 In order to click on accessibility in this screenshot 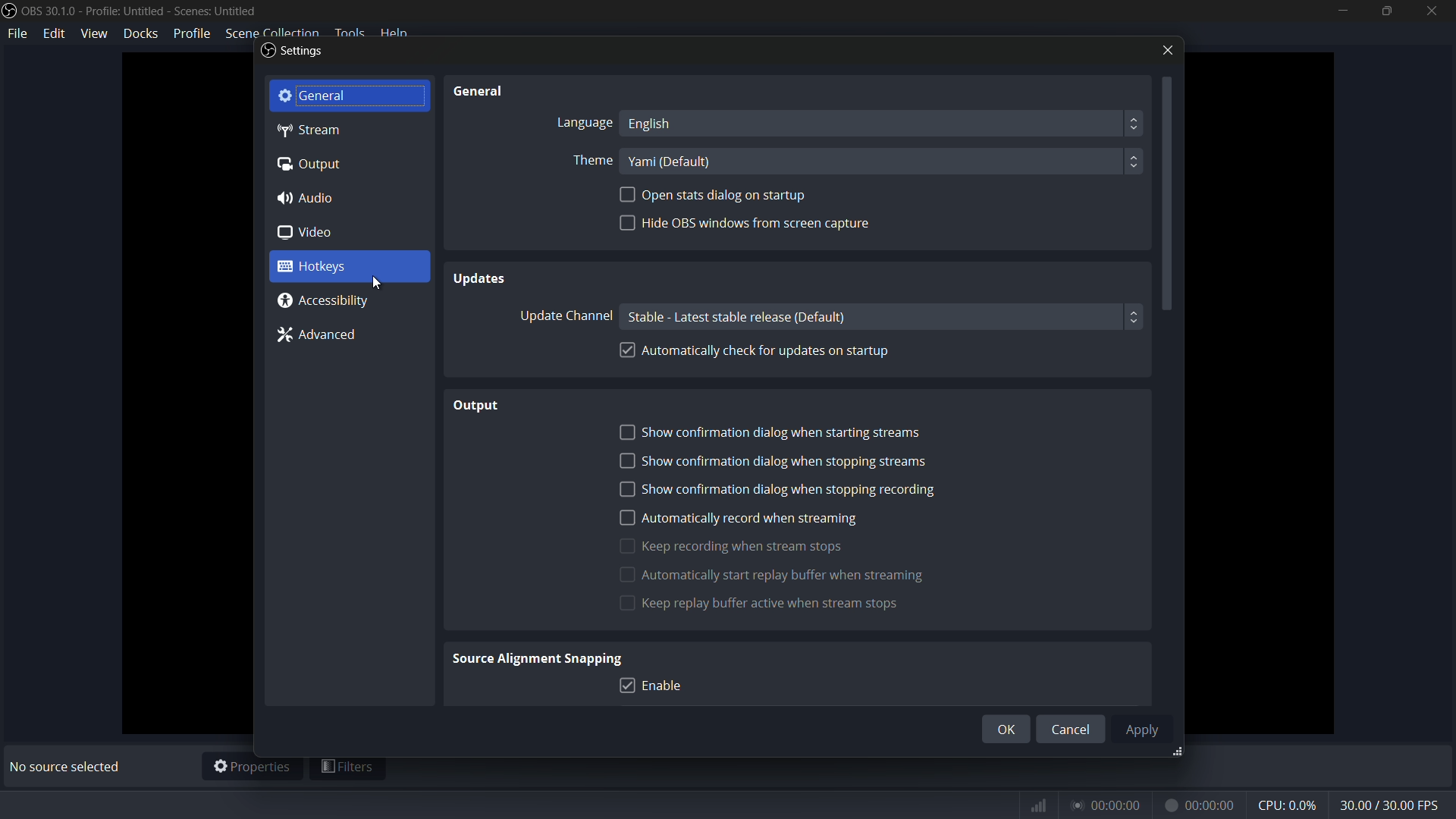, I will do `click(324, 303)`.